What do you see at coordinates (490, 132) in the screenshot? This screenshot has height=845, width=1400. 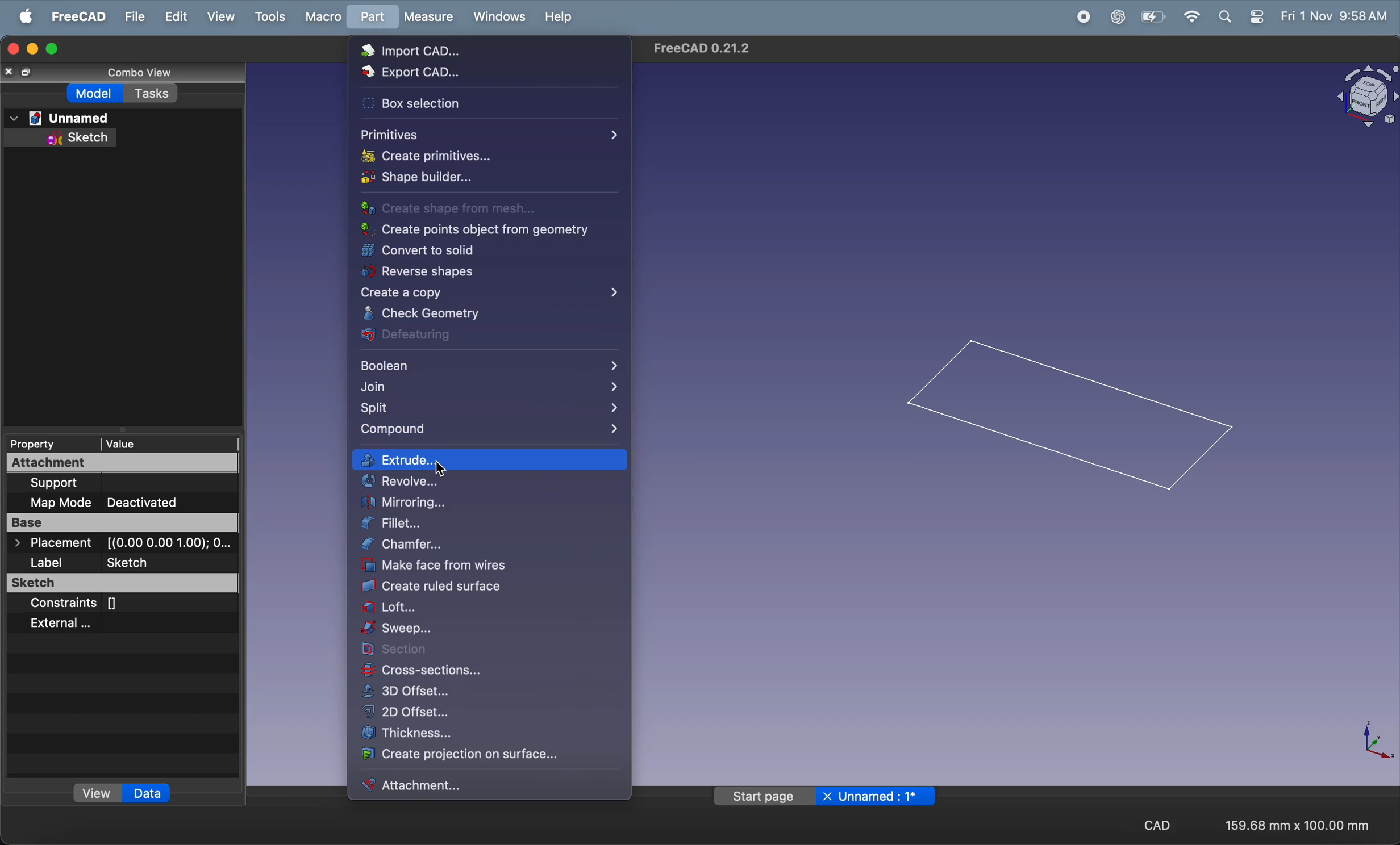 I see `primitives` at bounding box center [490, 132].